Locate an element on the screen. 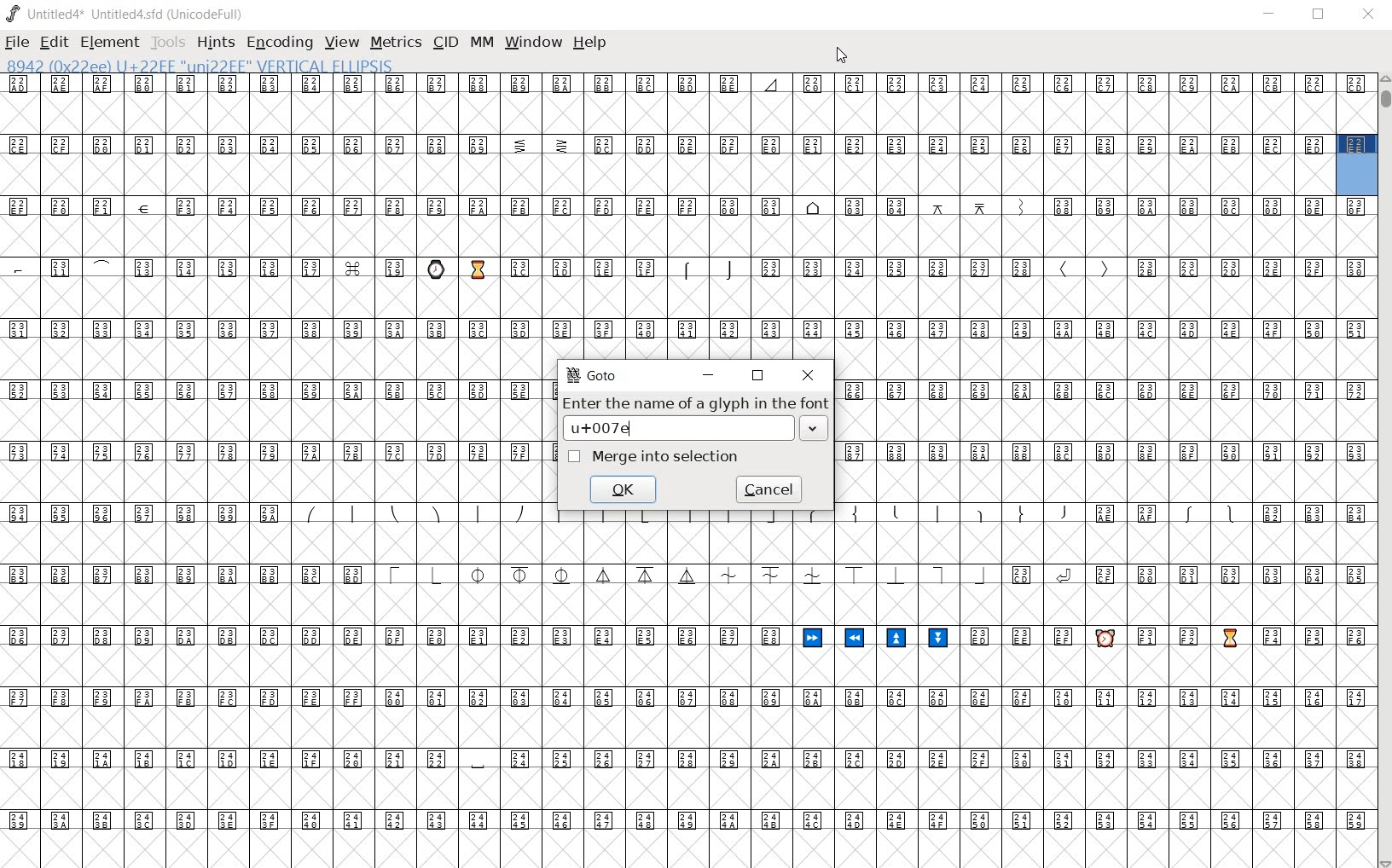 This screenshot has height=868, width=1392. restore is located at coordinates (759, 376).